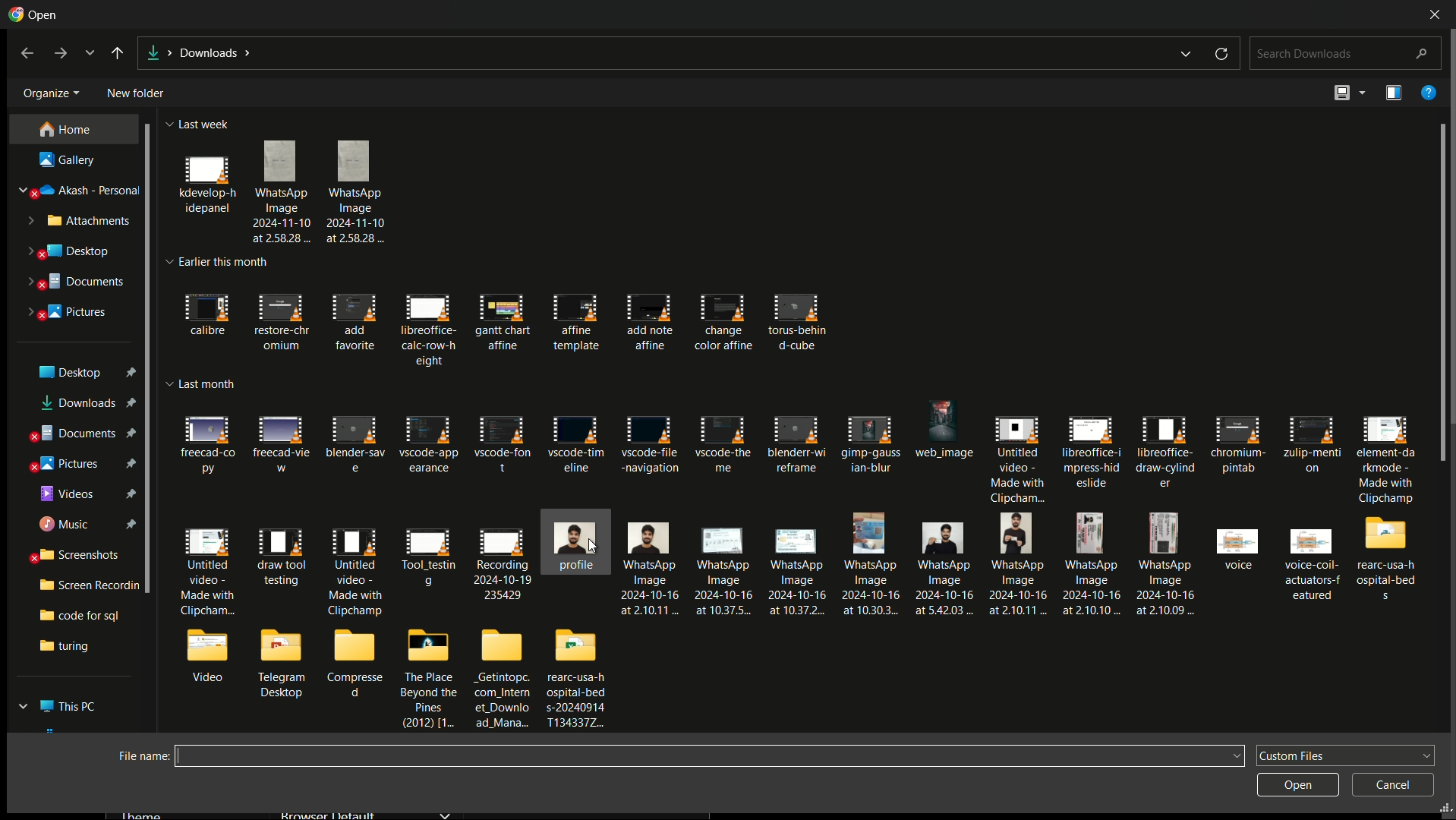 The image size is (1456, 820). Describe the element at coordinates (80, 191) in the screenshot. I see `akash personal` at that location.